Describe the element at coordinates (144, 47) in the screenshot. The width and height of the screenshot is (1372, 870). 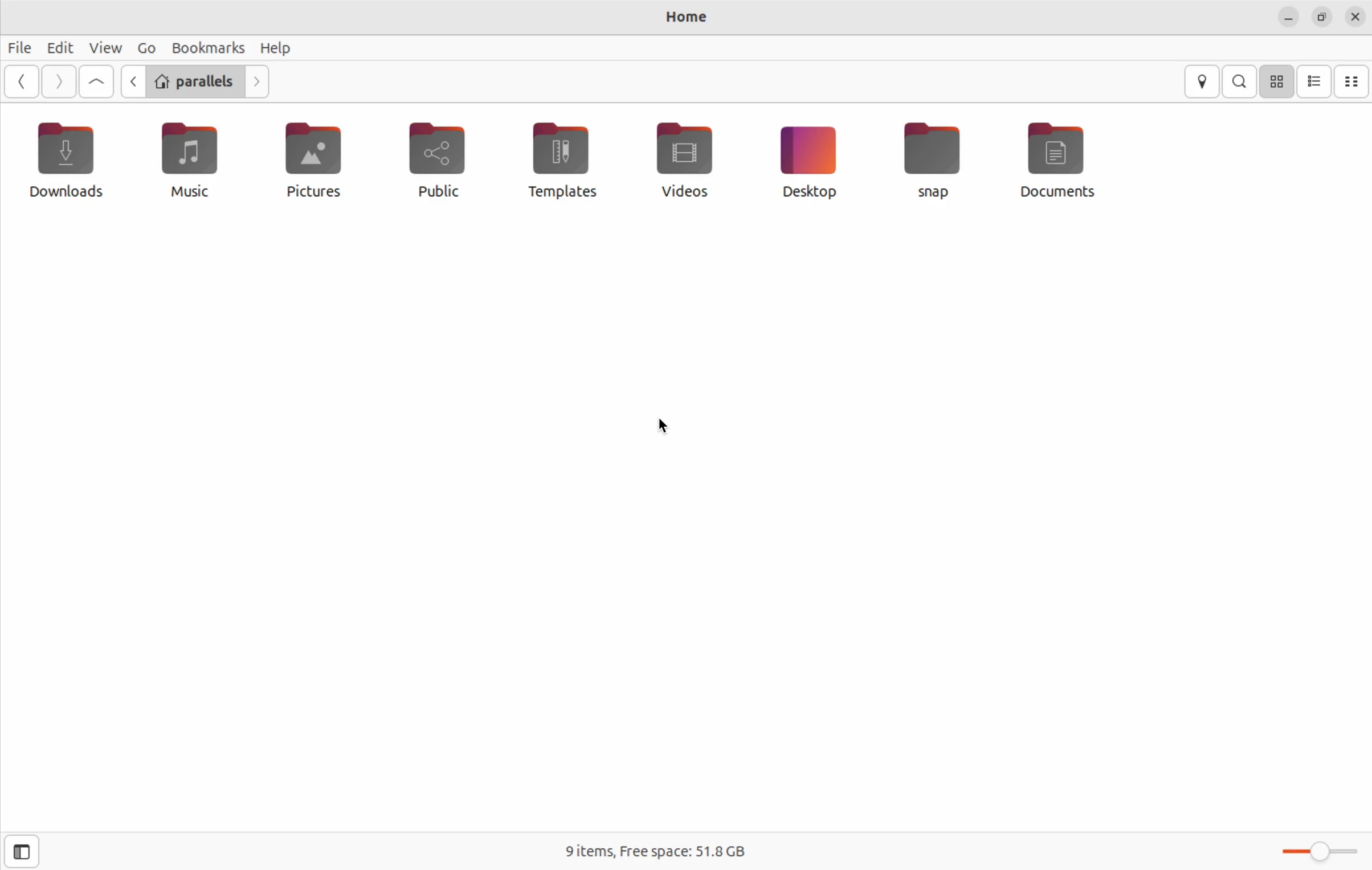
I see `go` at that location.